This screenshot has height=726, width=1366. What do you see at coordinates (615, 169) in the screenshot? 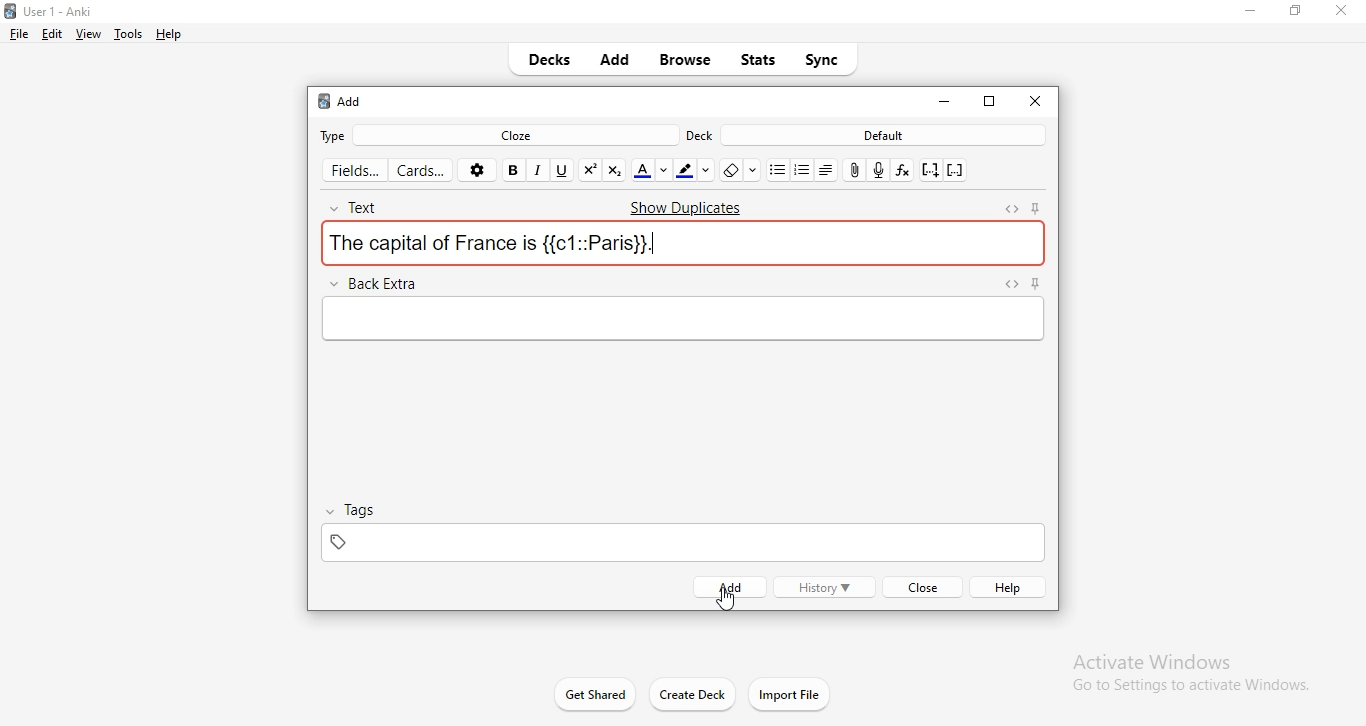
I see `sucscript` at bounding box center [615, 169].